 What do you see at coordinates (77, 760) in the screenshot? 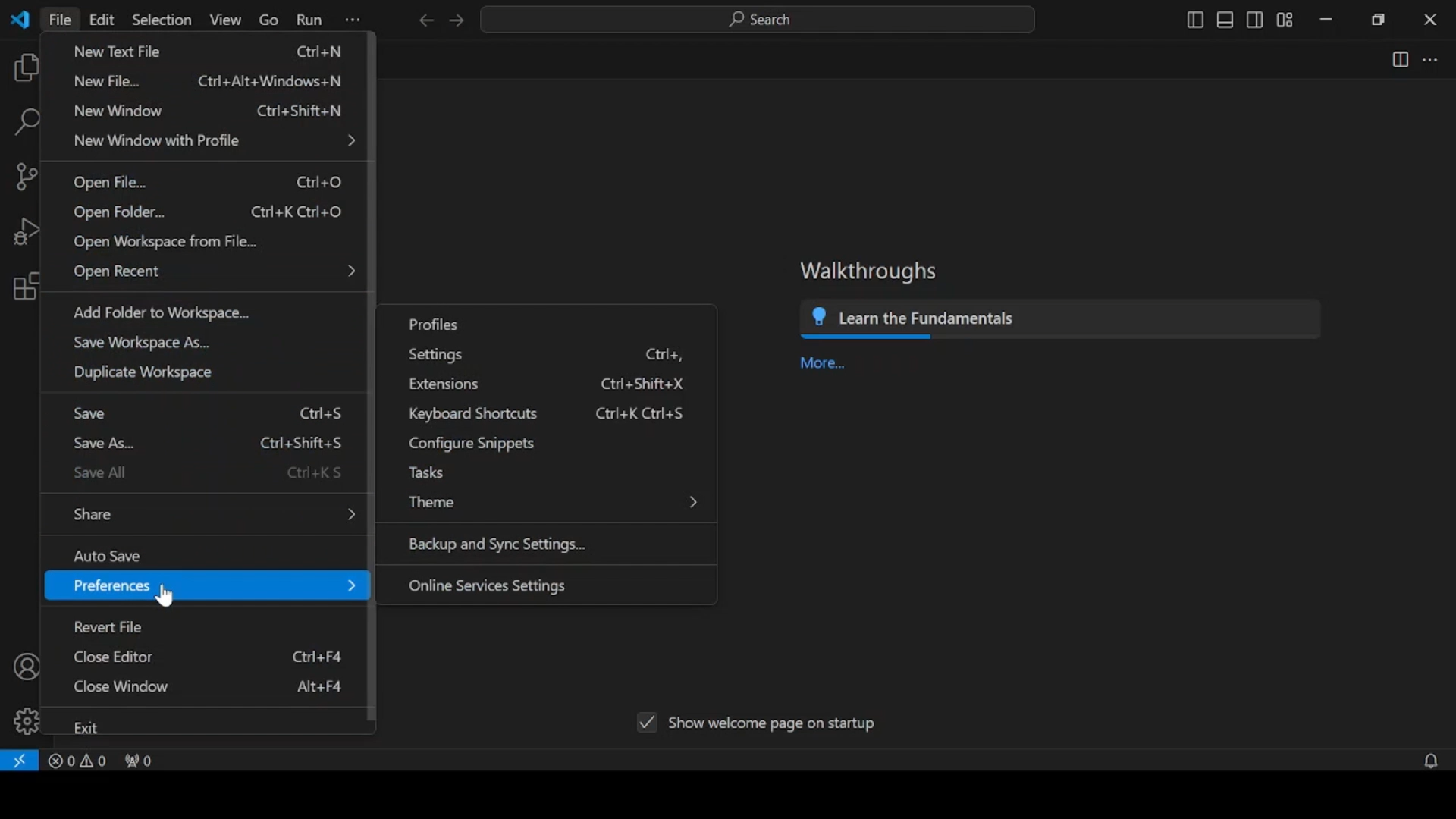
I see `problems panel` at bounding box center [77, 760].